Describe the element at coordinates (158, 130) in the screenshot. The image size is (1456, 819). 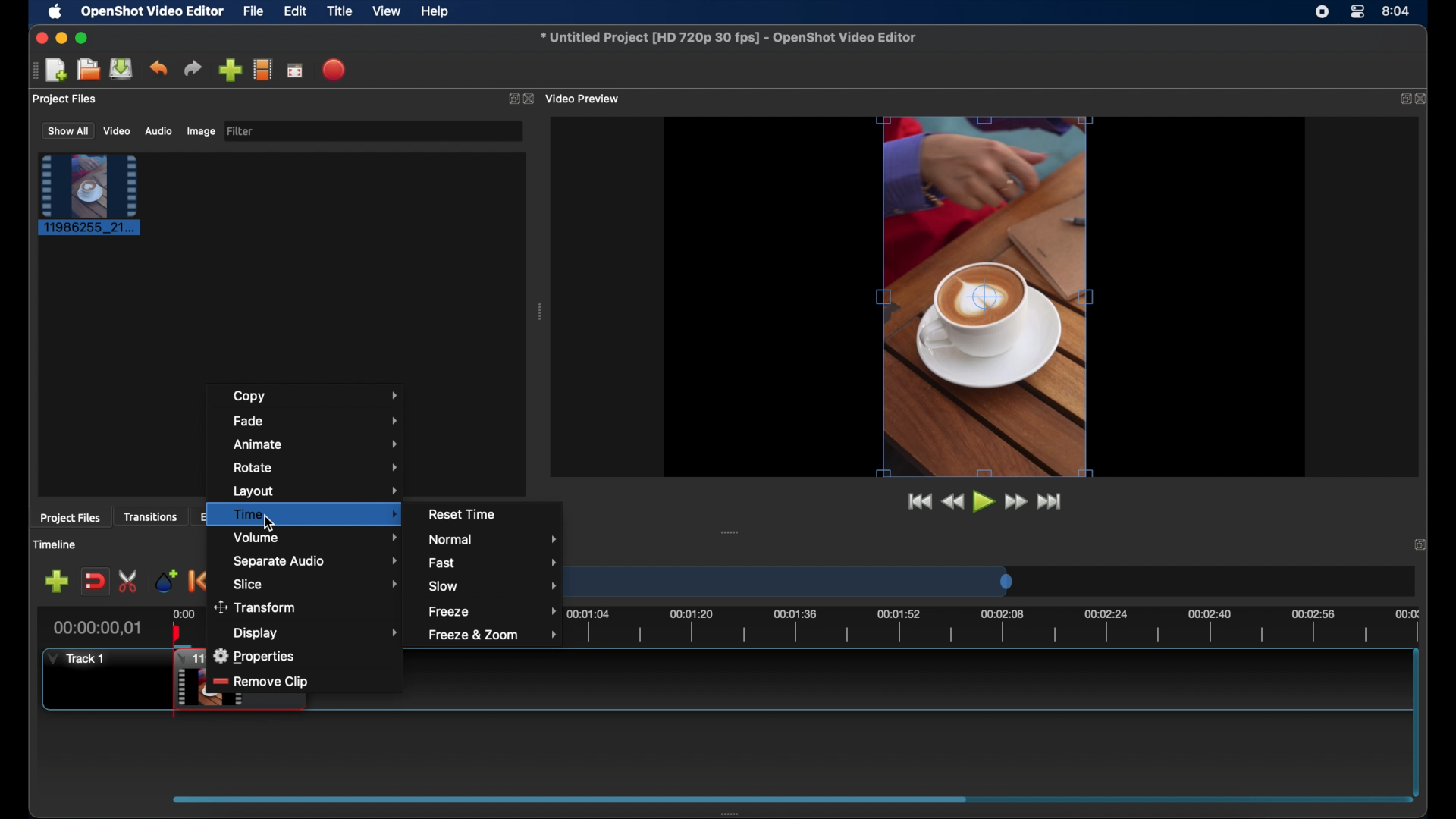
I see `audio` at that location.